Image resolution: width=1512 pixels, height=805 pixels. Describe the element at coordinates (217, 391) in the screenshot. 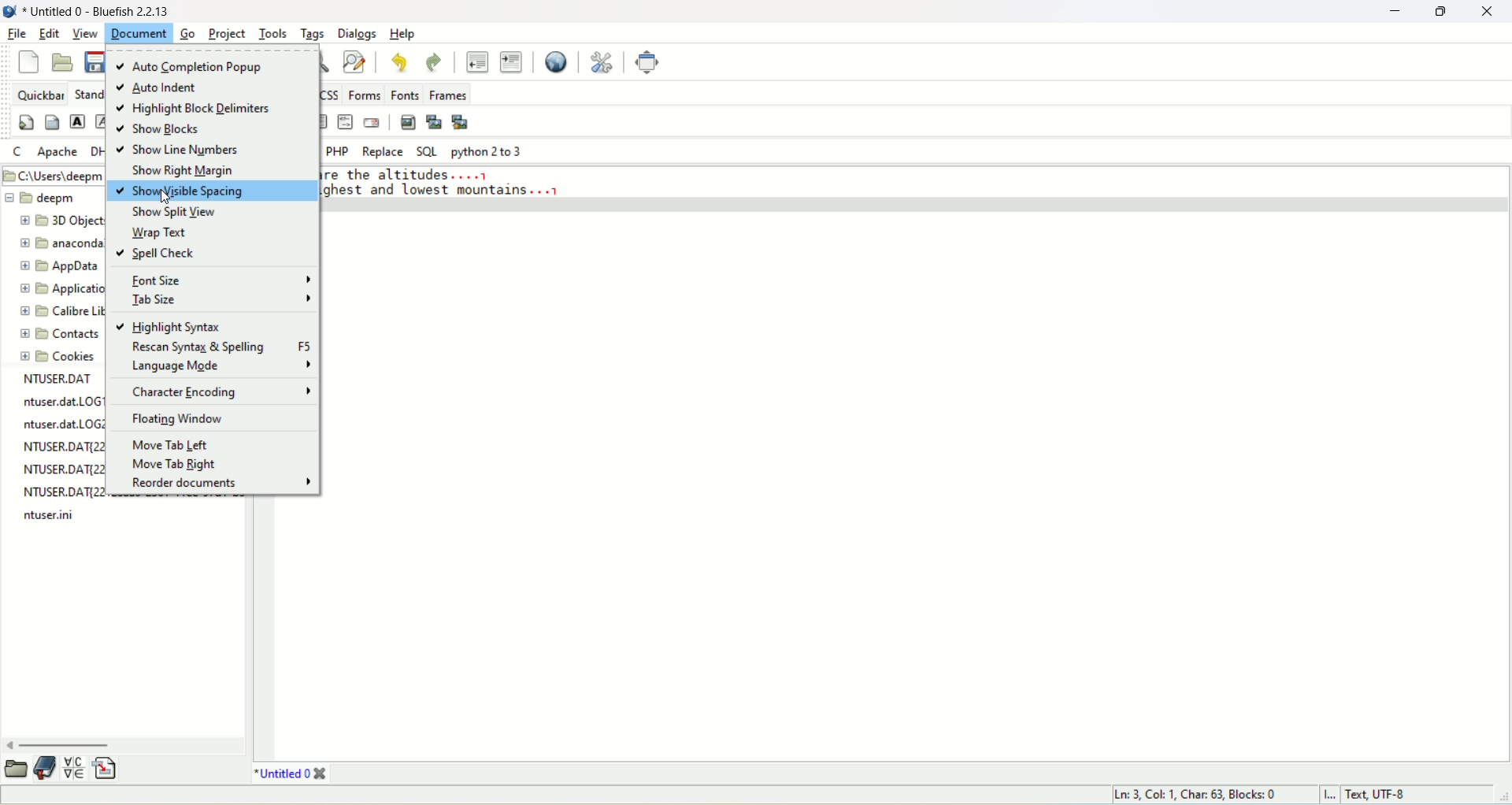

I see `character encoding` at that location.